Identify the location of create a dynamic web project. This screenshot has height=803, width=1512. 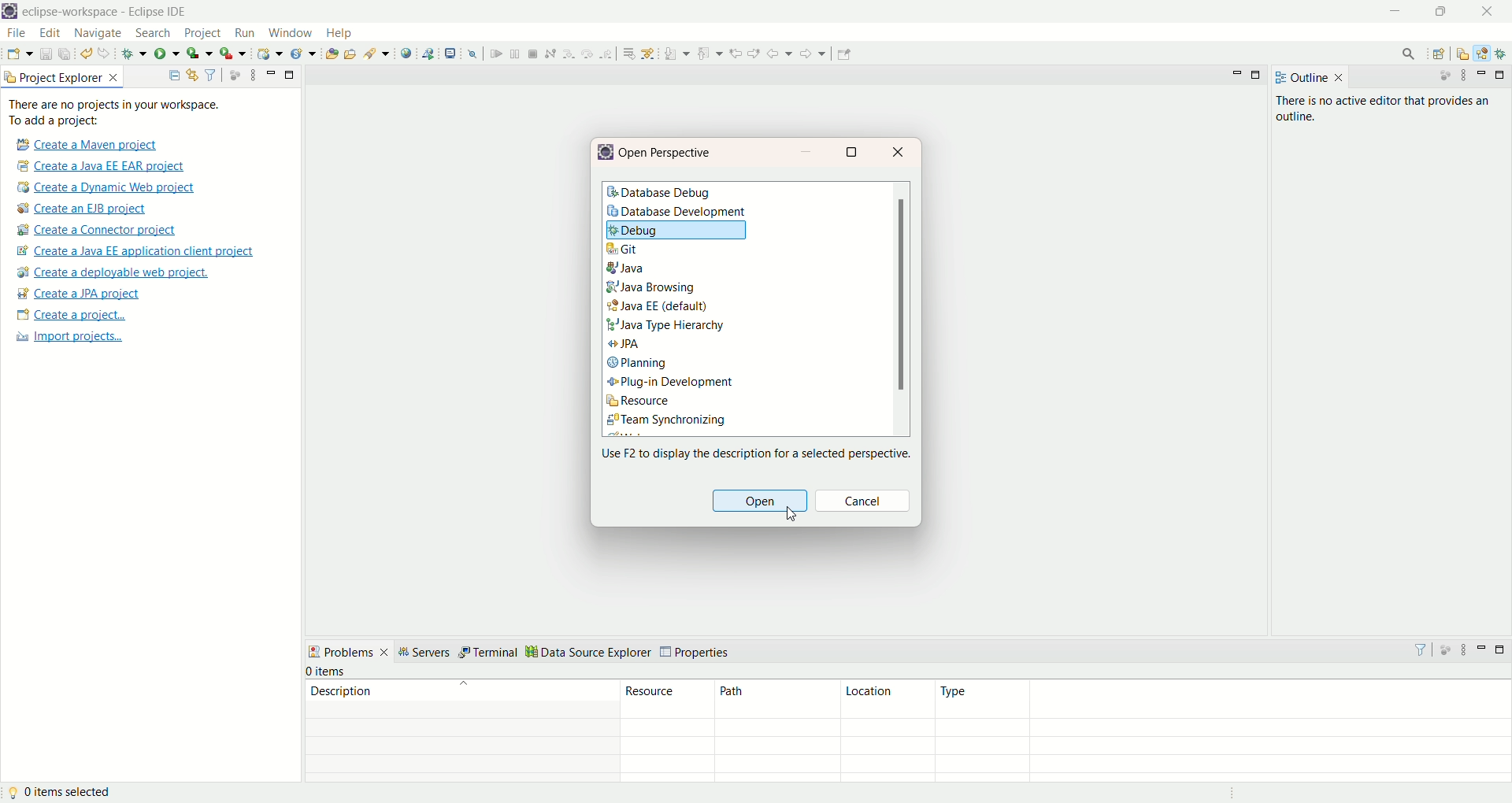
(269, 55).